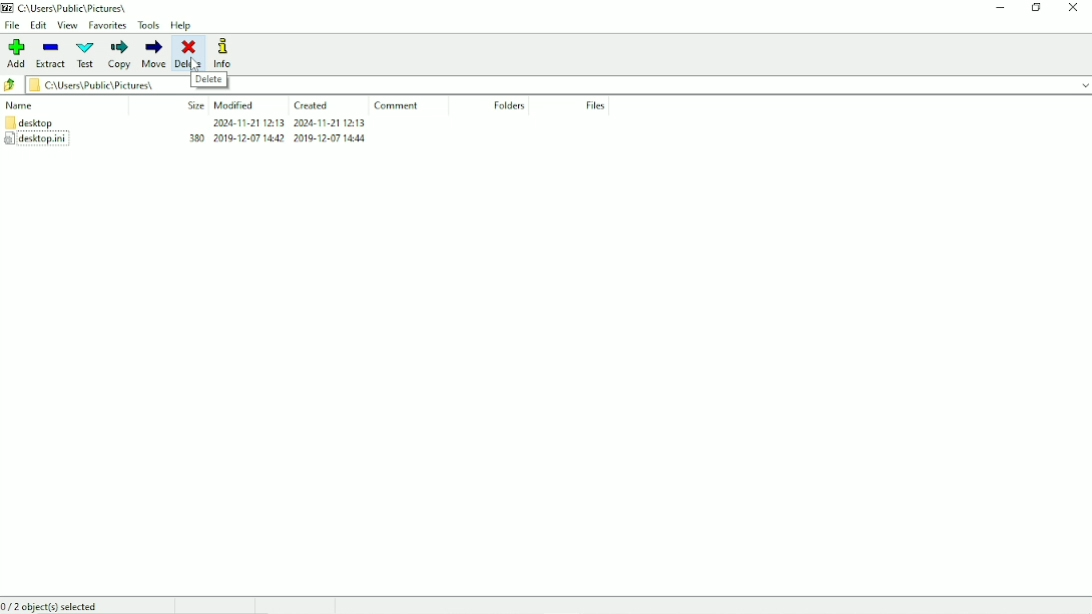 The height and width of the screenshot is (614, 1092). I want to click on Delete, so click(188, 53).